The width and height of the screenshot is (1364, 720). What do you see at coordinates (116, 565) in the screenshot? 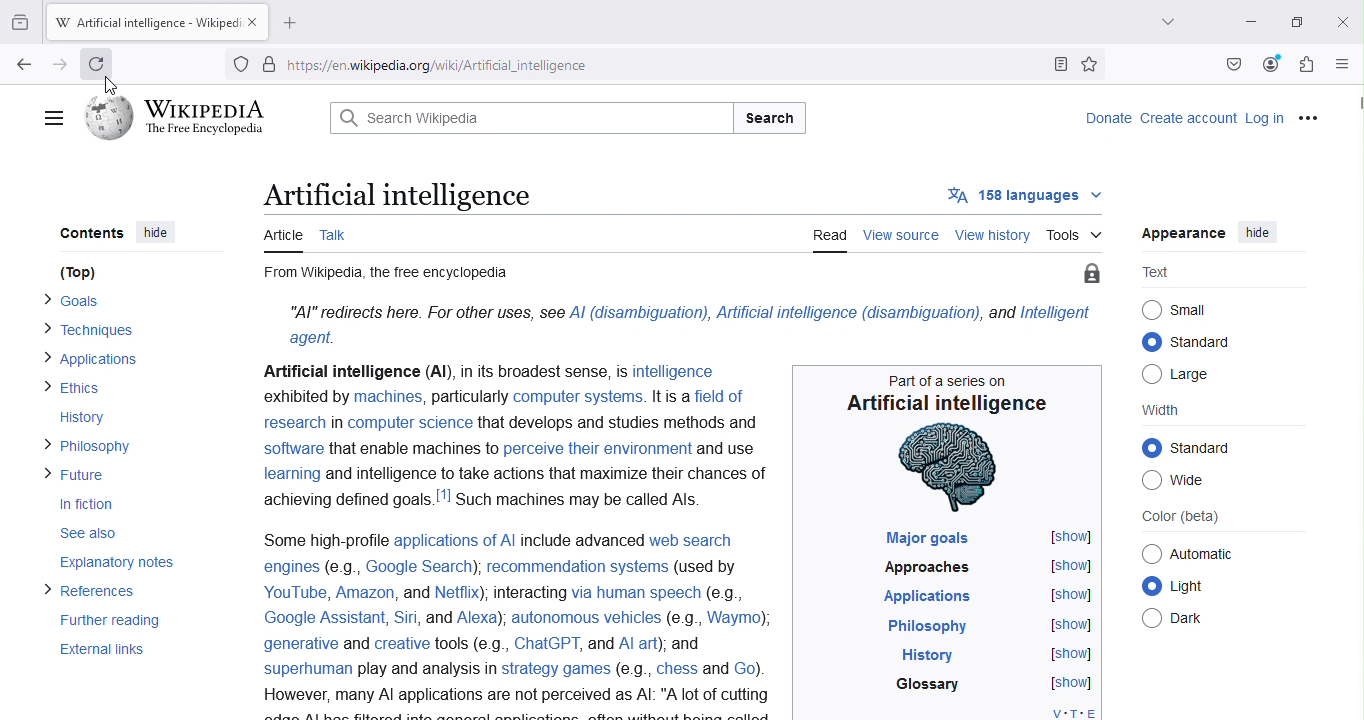
I see `Explanatory notes` at bounding box center [116, 565].